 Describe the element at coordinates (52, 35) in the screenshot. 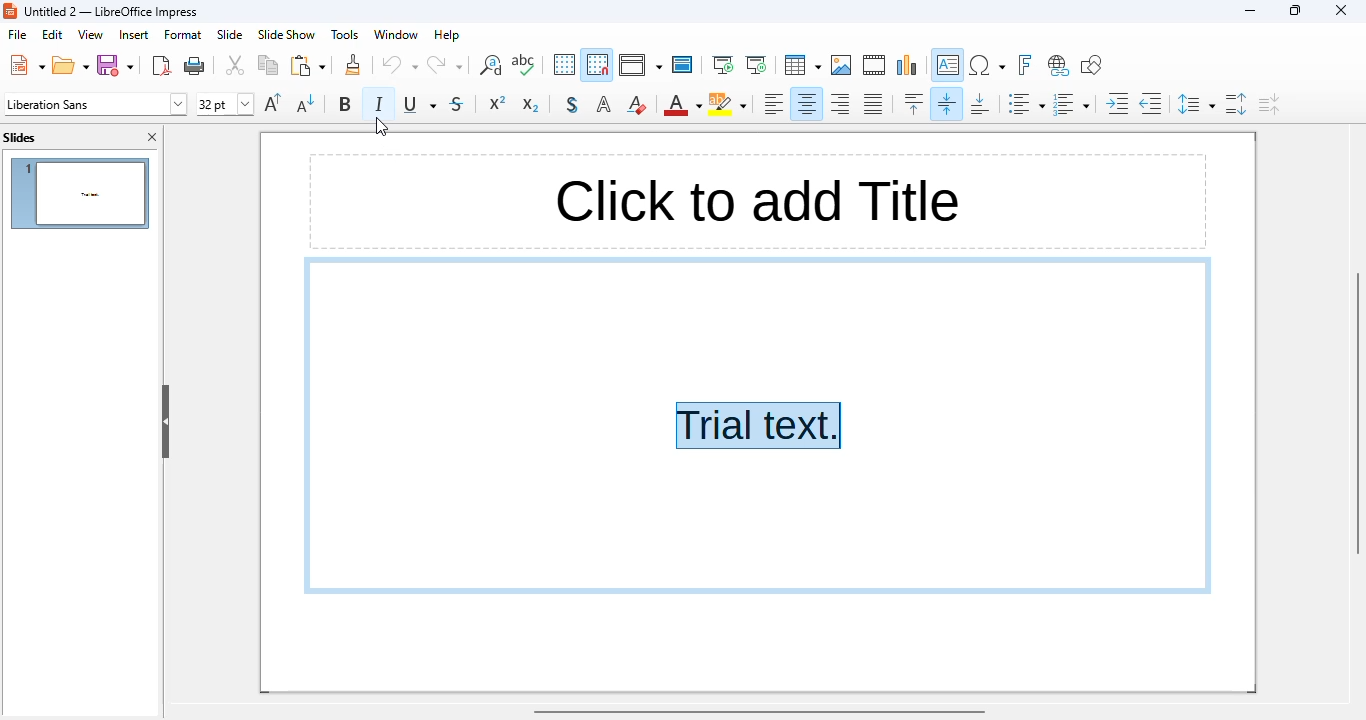

I see `edit` at that location.